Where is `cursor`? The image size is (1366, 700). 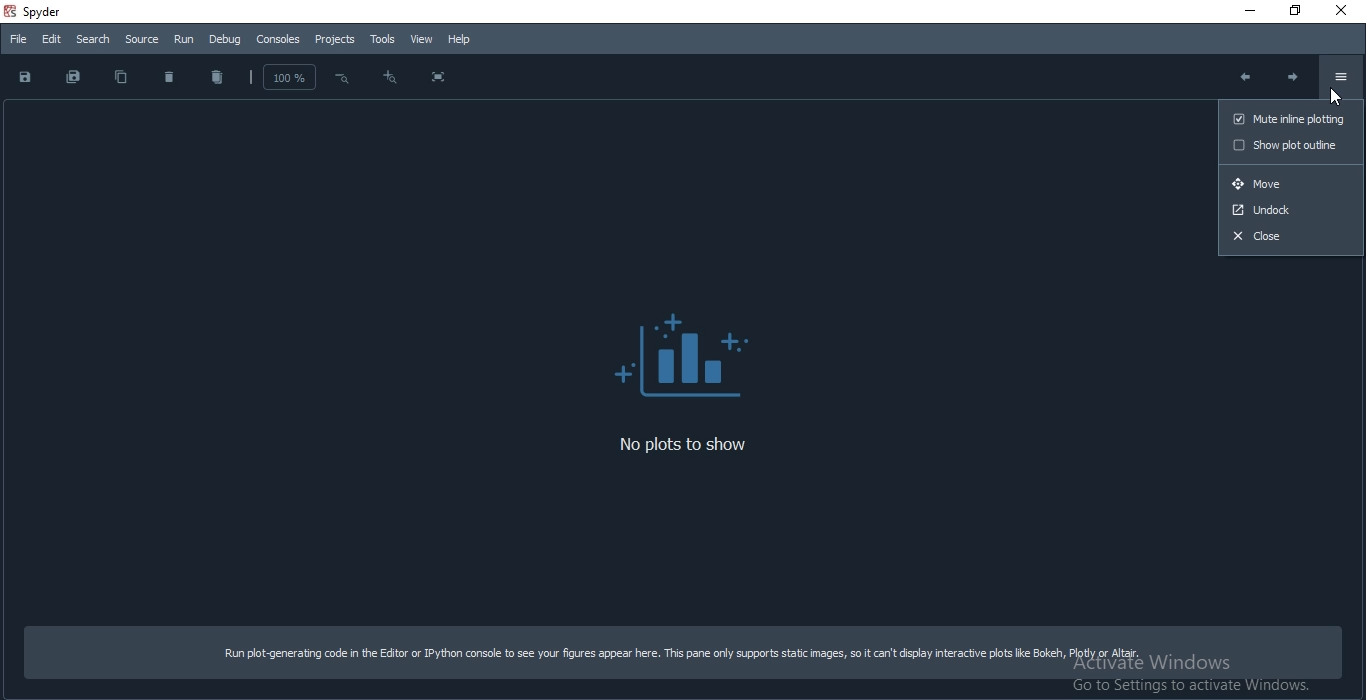
cursor is located at coordinates (1341, 97).